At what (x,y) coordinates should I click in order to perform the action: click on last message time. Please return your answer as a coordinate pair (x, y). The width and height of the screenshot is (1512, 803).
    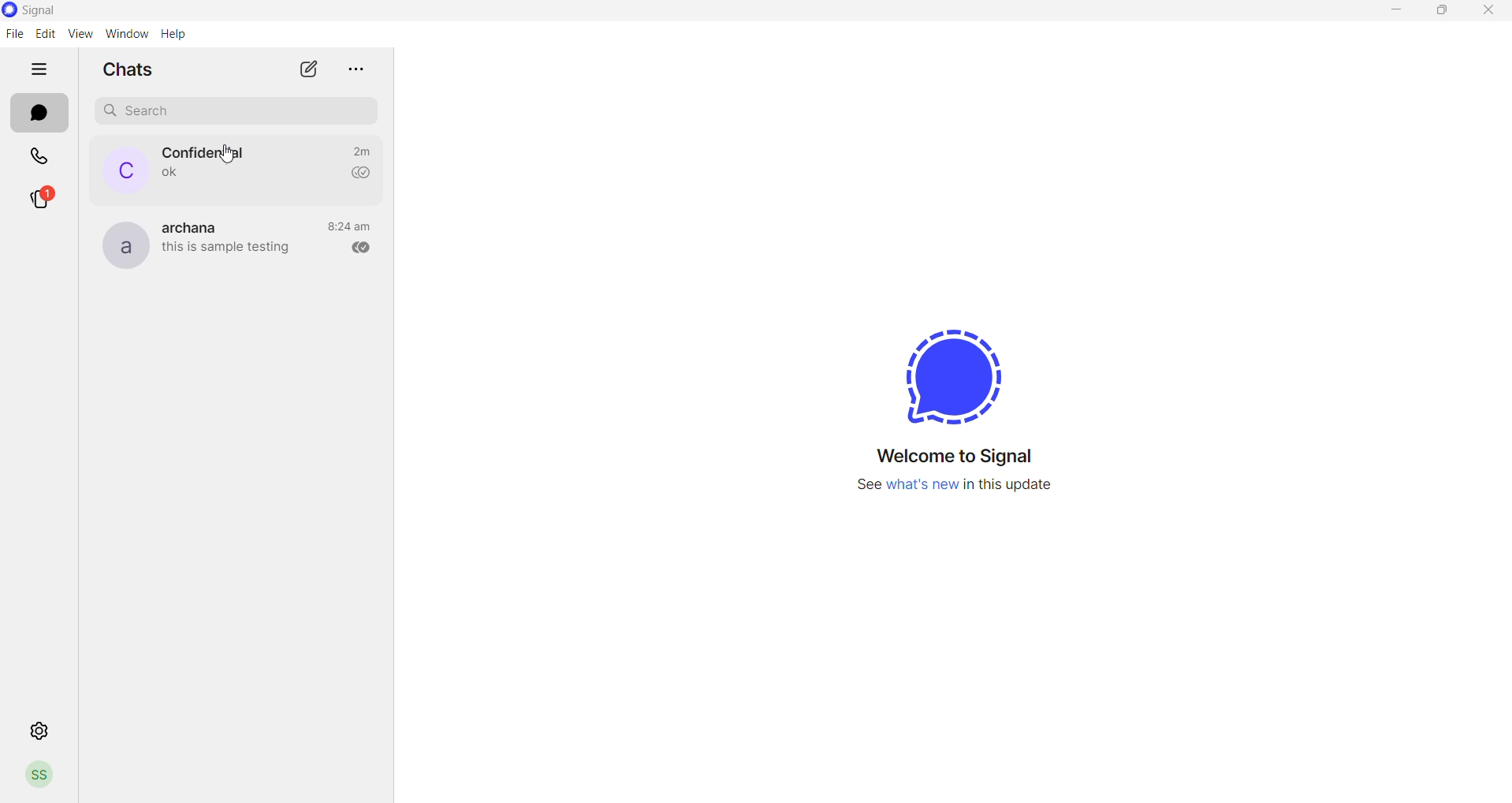
    Looking at the image, I should click on (359, 151).